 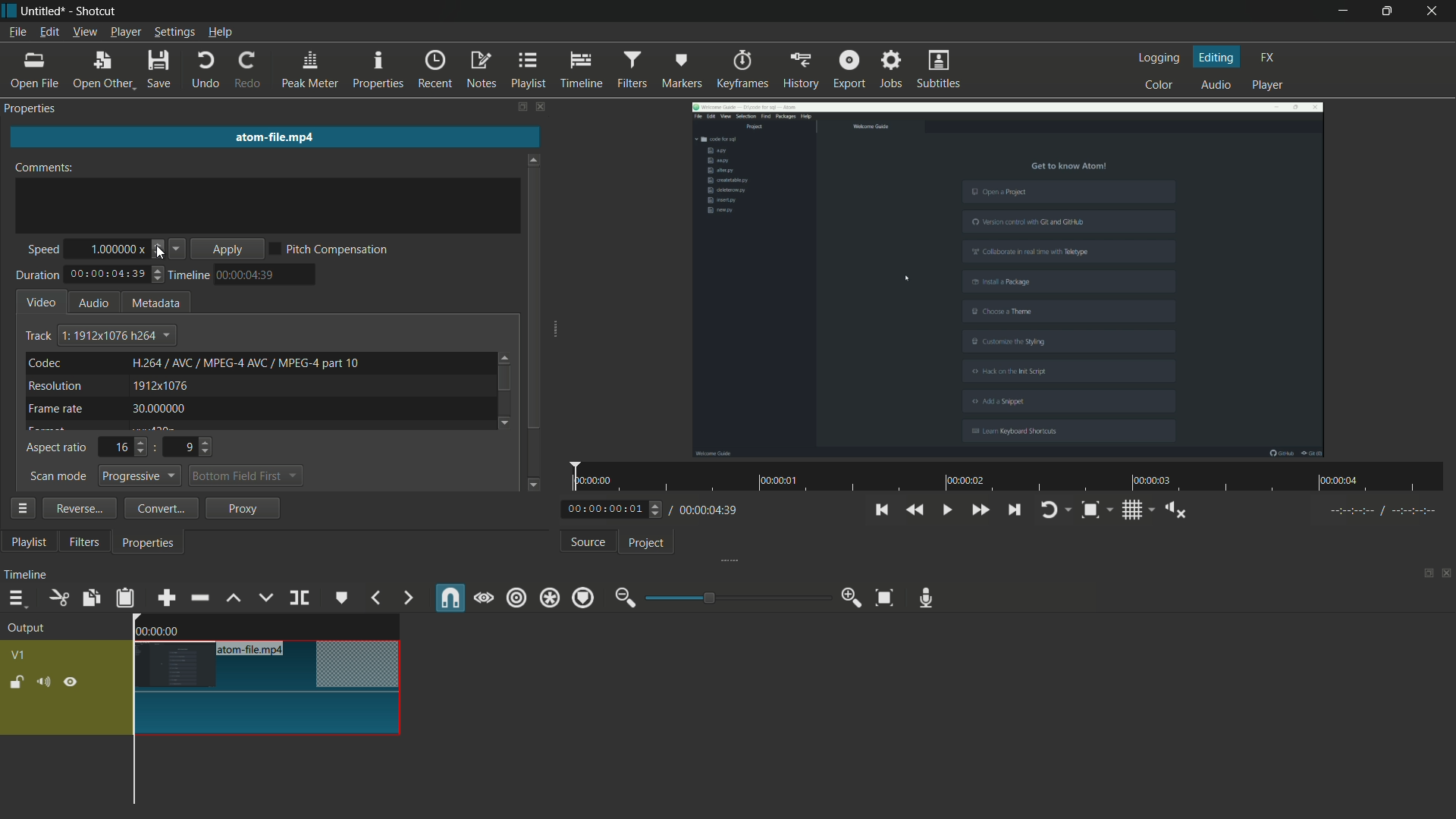 What do you see at coordinates (1131, 510) in the screenshot?
I see `toggle grid` at bounding box center [1131, 510].